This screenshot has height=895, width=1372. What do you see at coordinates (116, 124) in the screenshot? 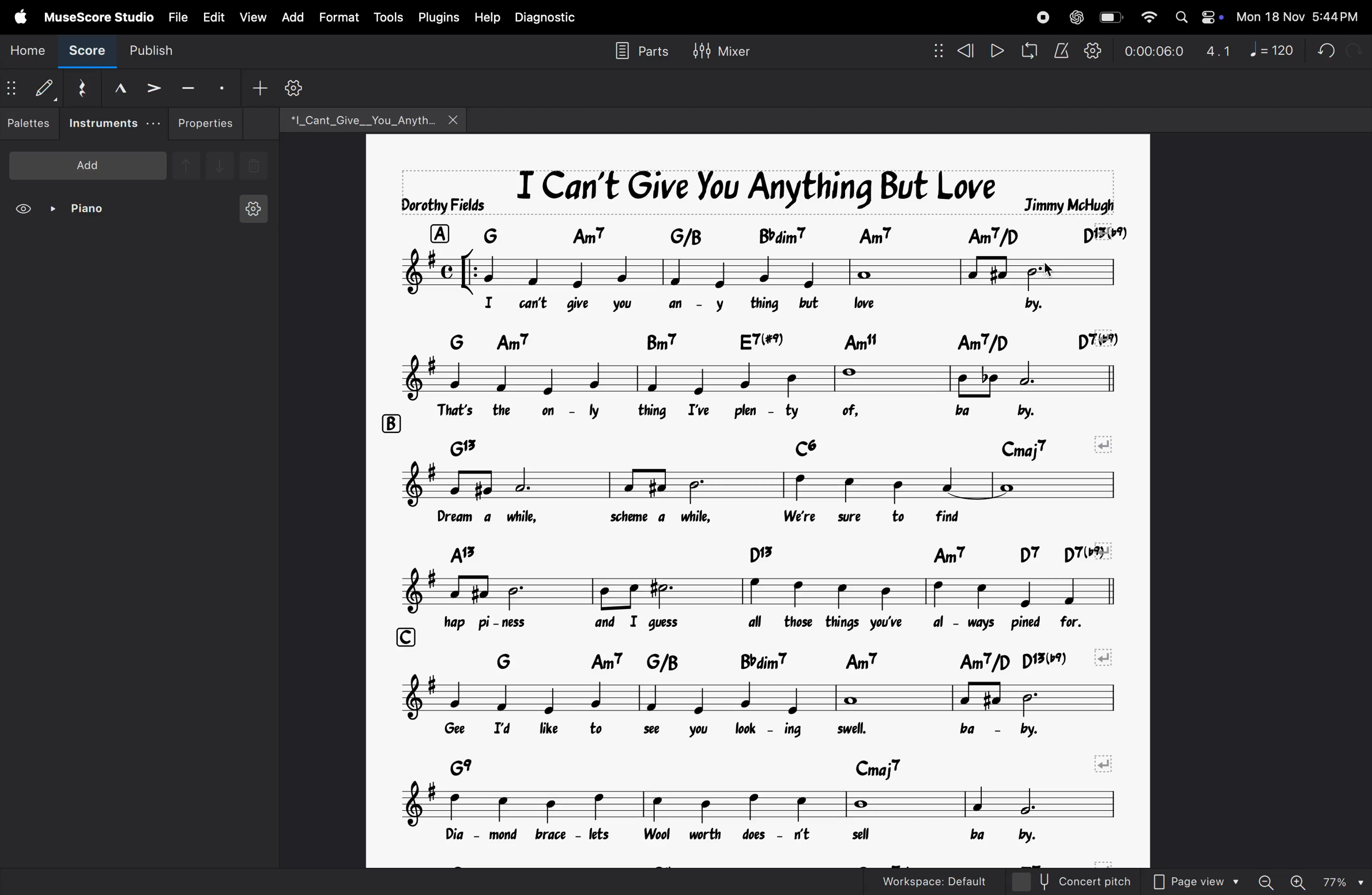
I see `instruments` at bounding box center [116, 124].